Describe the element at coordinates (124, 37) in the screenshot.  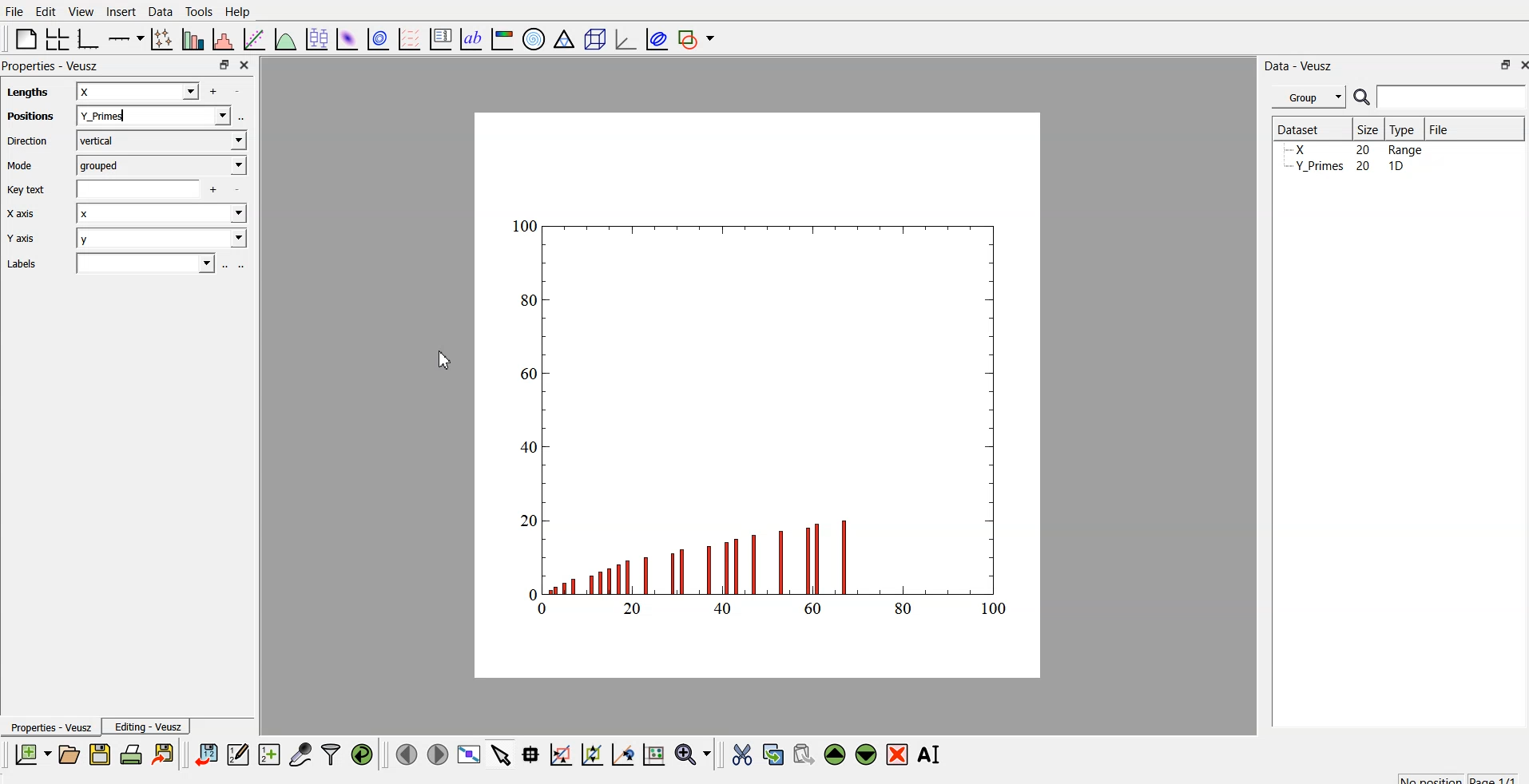
I see `plot on axis` at that location.